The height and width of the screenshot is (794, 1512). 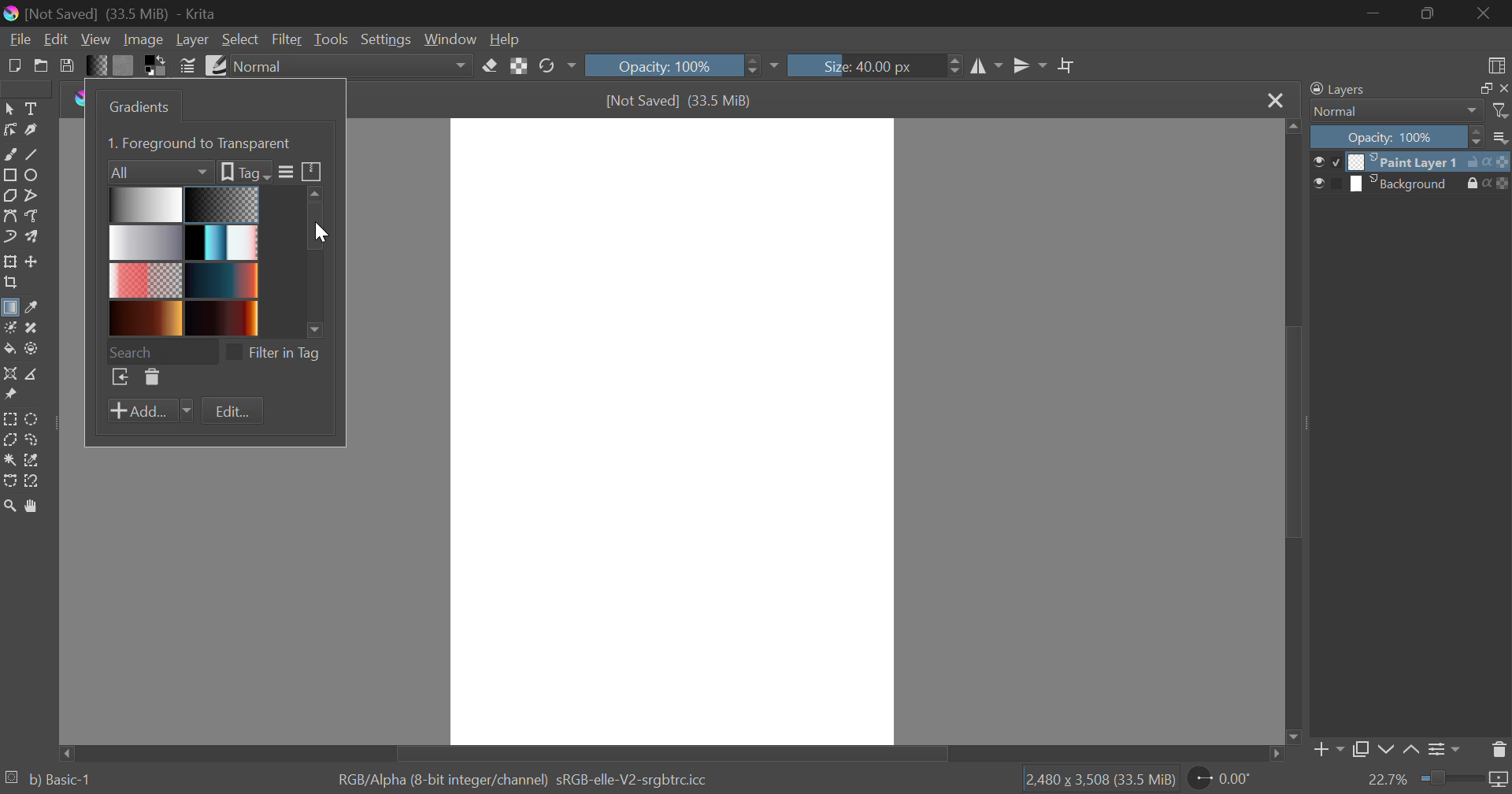 I want to click on Filter, so click(x=288, y=39).